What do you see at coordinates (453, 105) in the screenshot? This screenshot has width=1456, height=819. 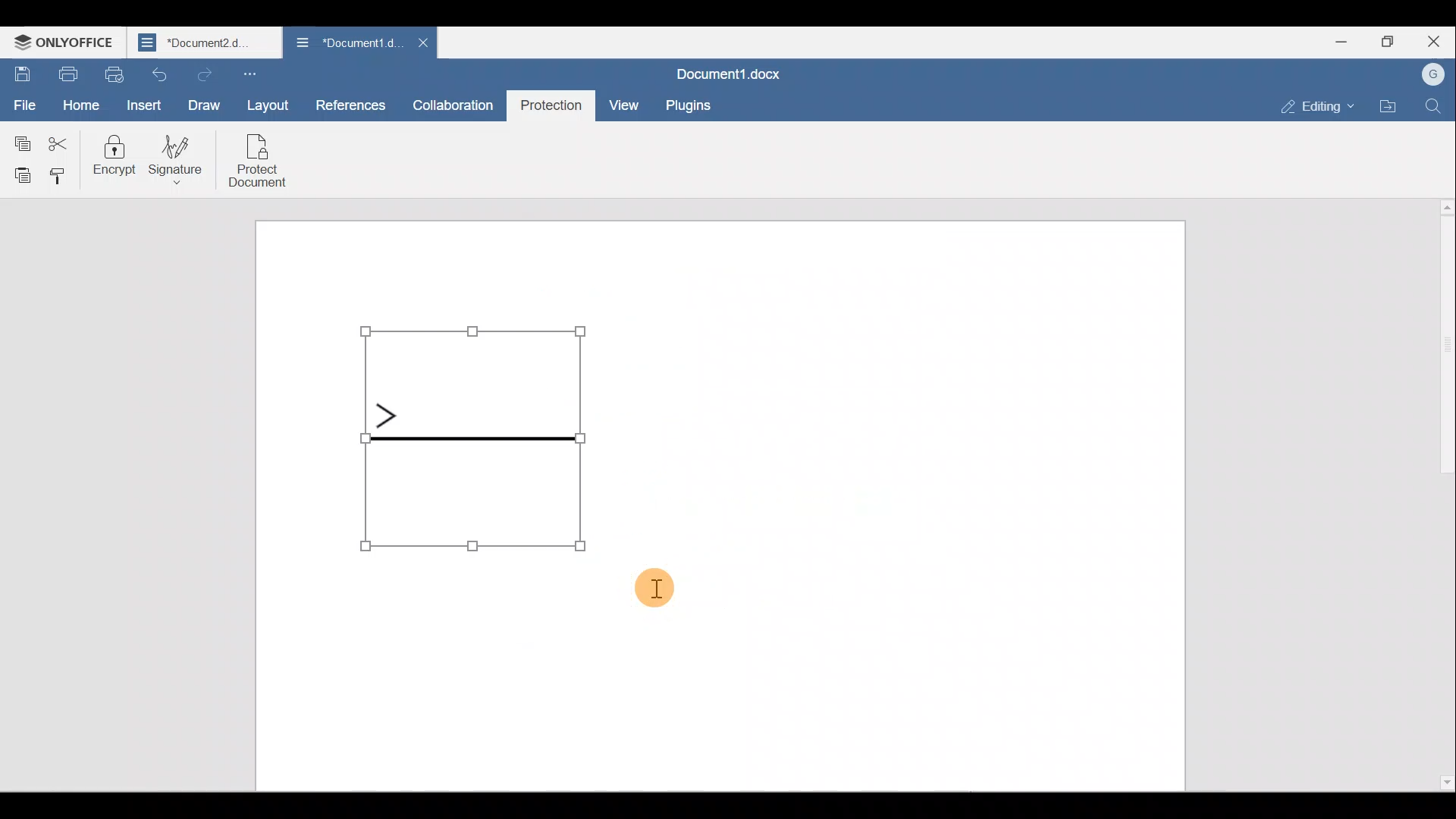 I see `Collaboration` at bounding box center [453, 105].